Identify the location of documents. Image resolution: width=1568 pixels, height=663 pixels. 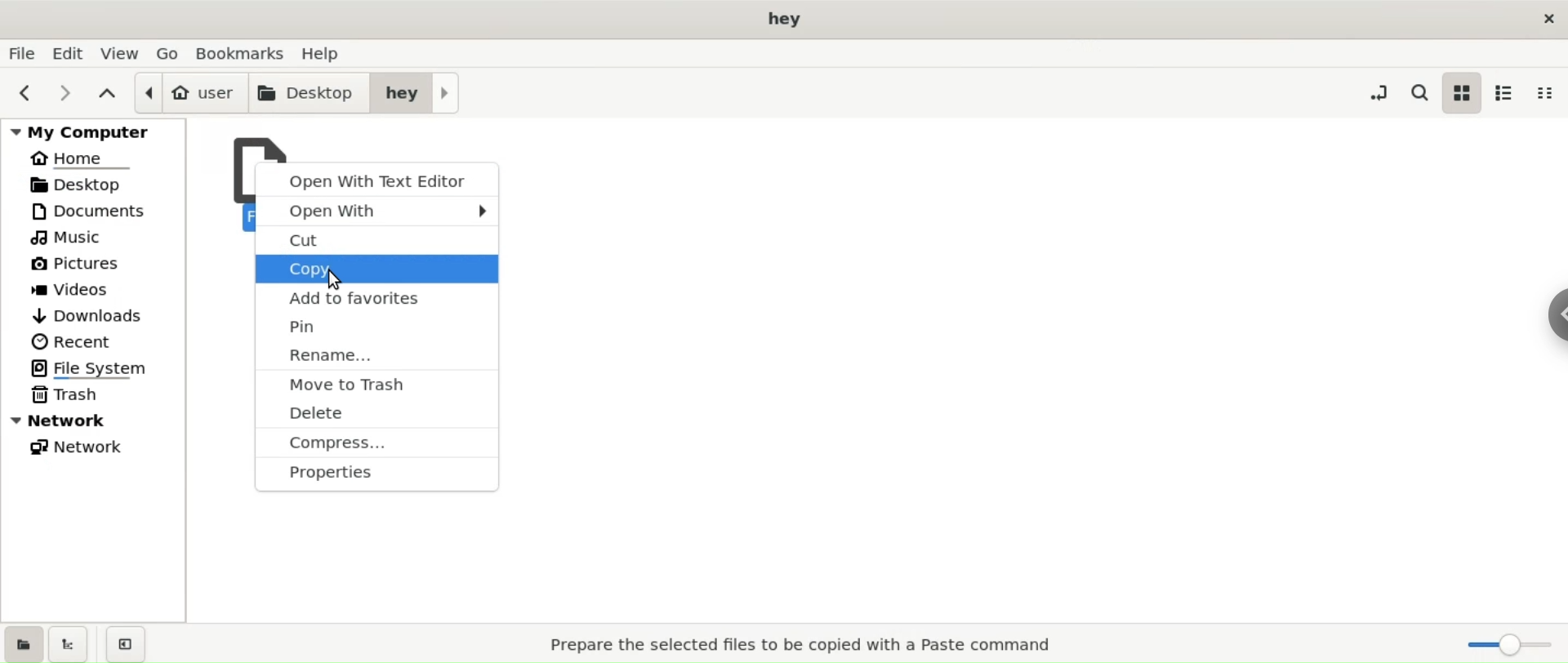
(98, 212).